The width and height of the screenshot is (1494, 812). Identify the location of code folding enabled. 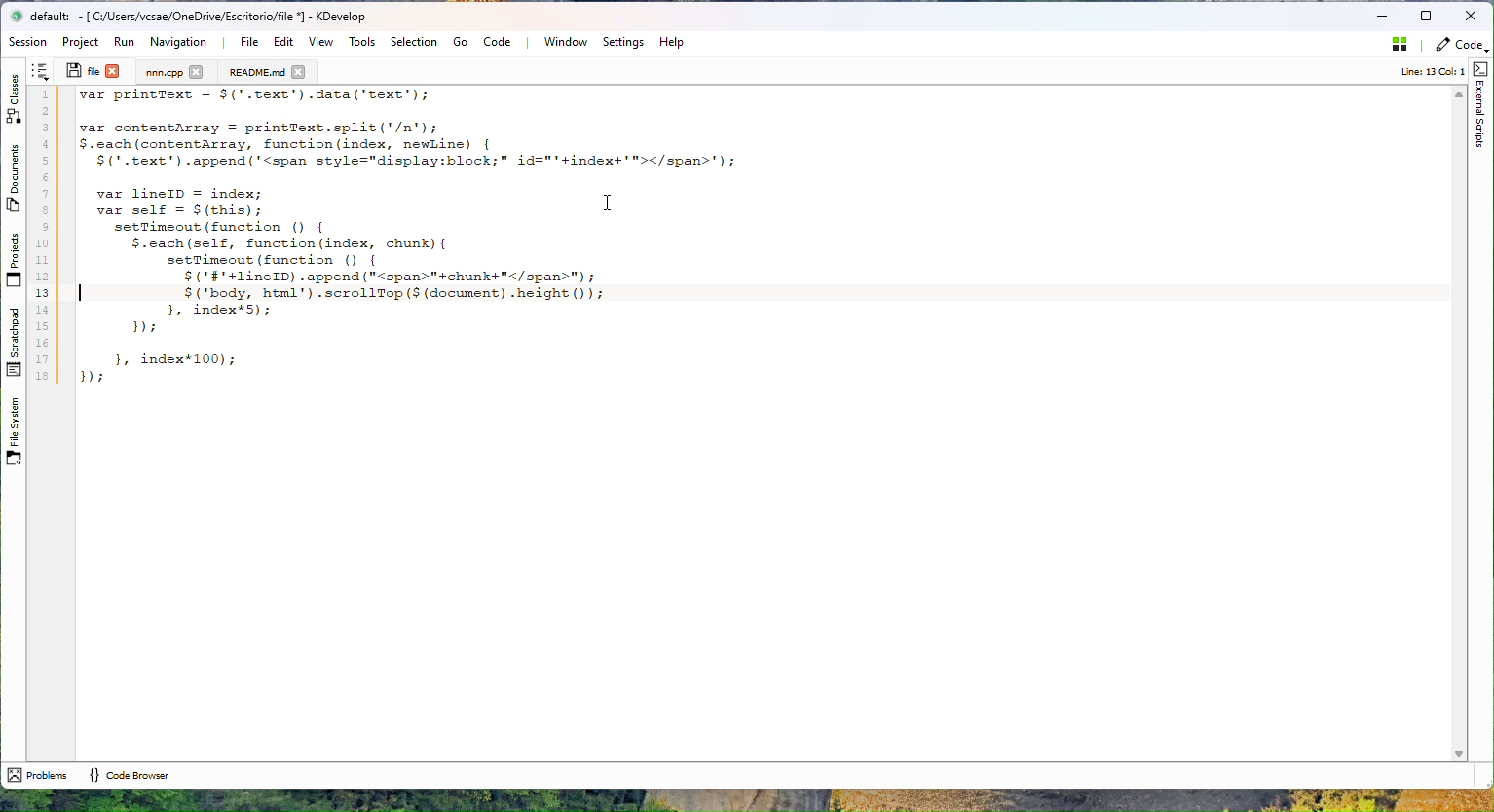
(66, 238).